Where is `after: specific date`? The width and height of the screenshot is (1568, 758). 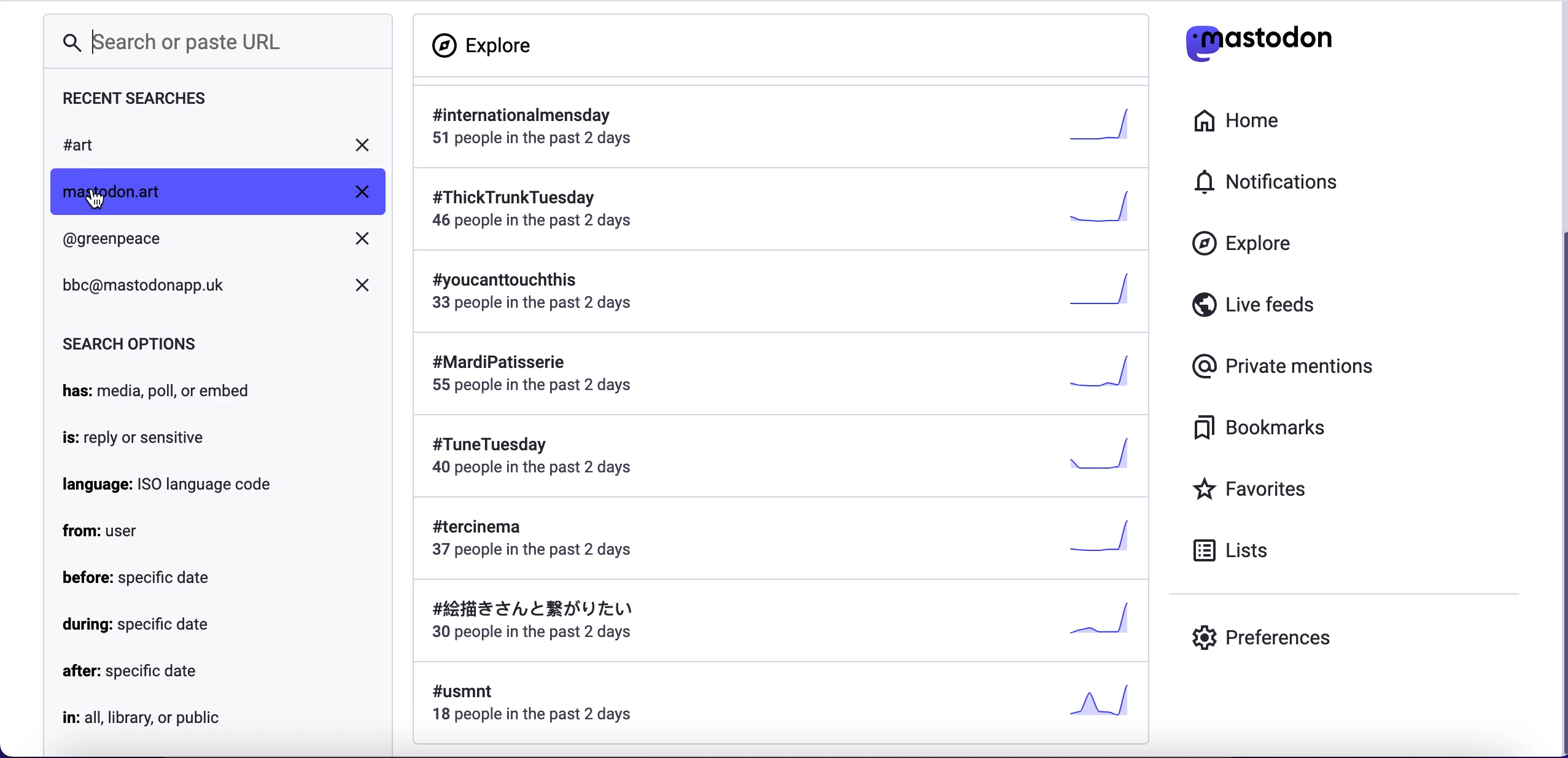 after: specific date is located at coordinates (130, 672).